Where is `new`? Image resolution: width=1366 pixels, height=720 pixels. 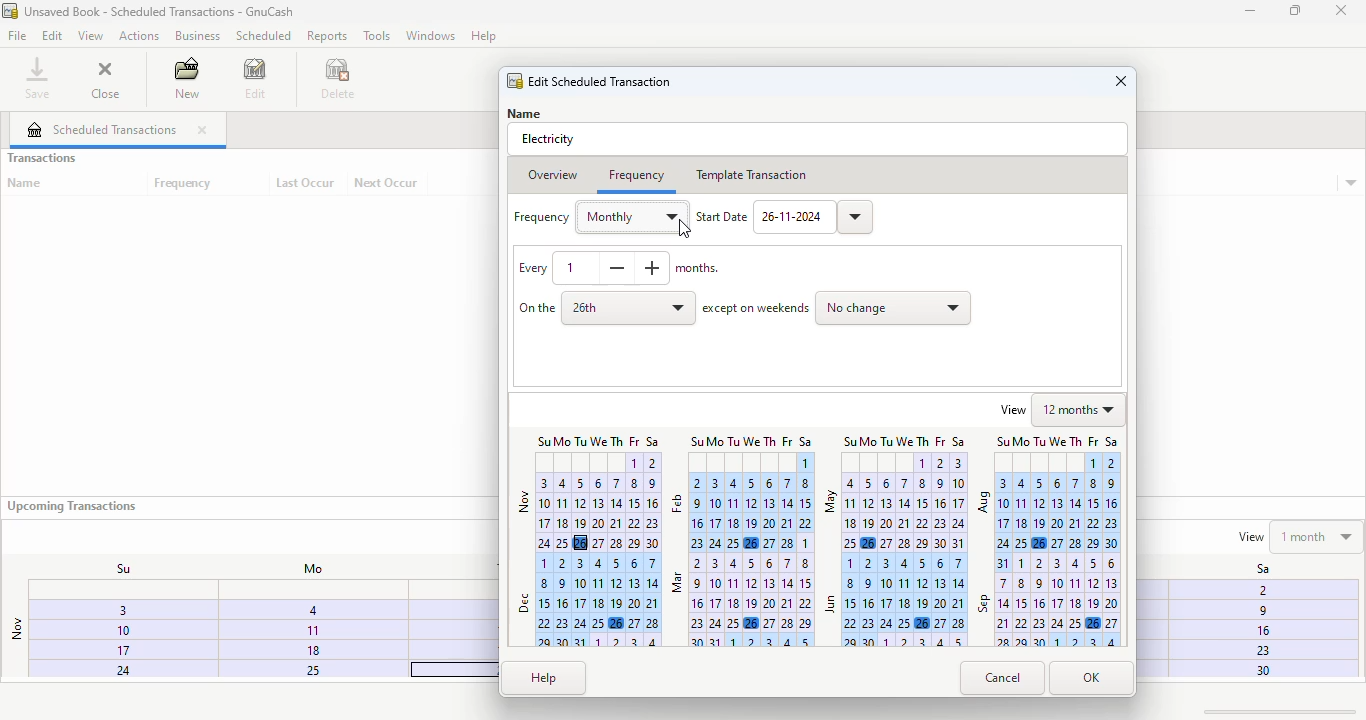
new is located at coordinates (186, 77).